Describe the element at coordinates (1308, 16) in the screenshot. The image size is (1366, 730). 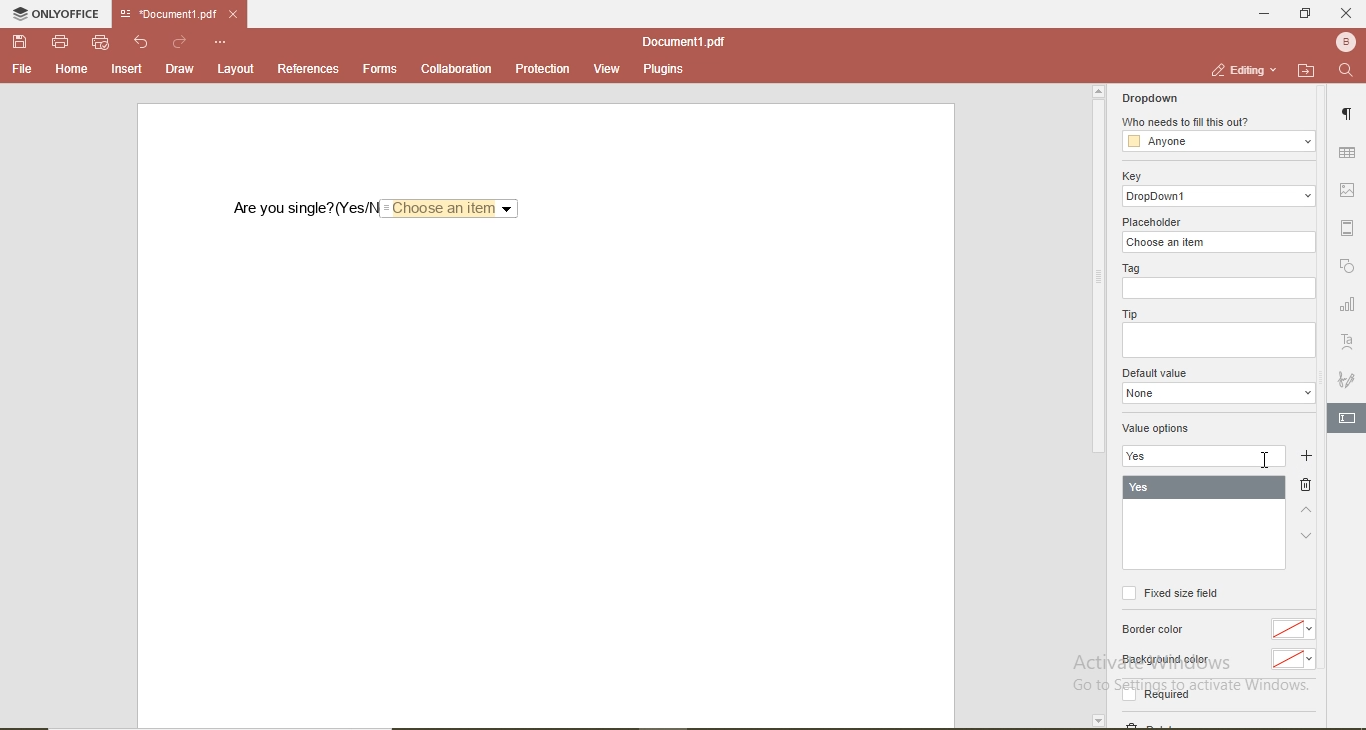
I see `restore` at that location.